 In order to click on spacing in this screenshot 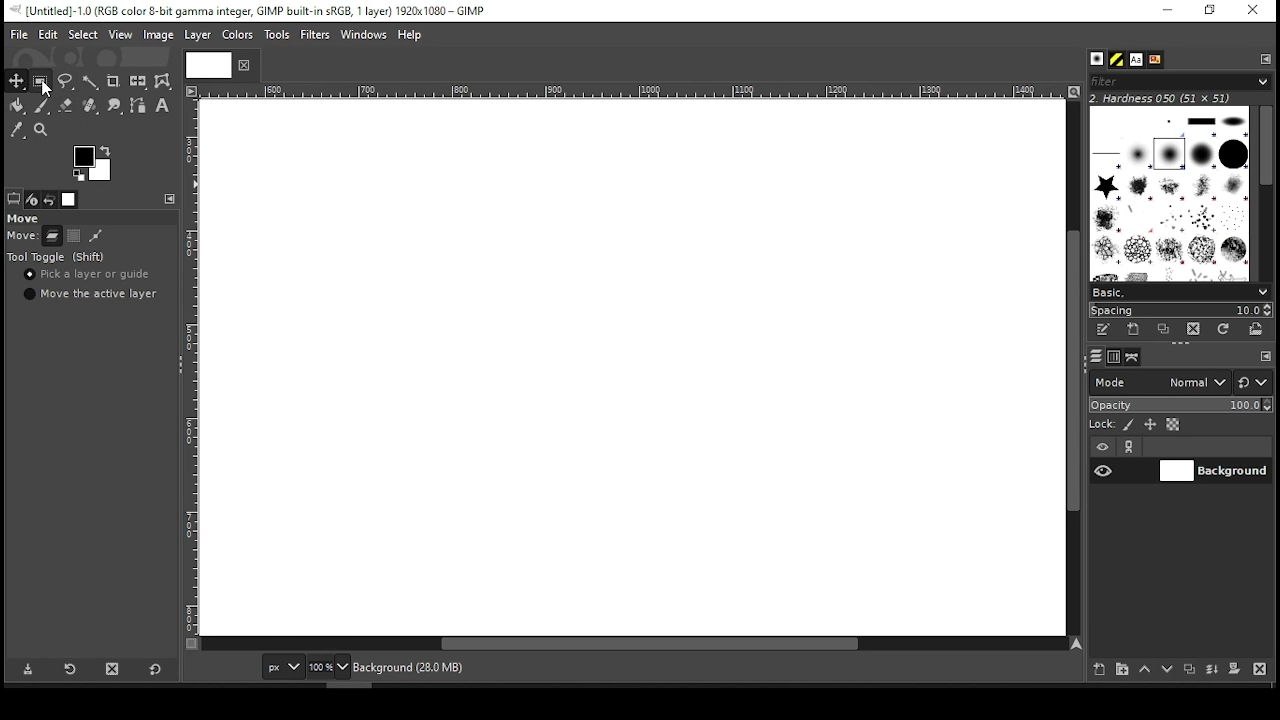, I will do `click(1180, 310)`.